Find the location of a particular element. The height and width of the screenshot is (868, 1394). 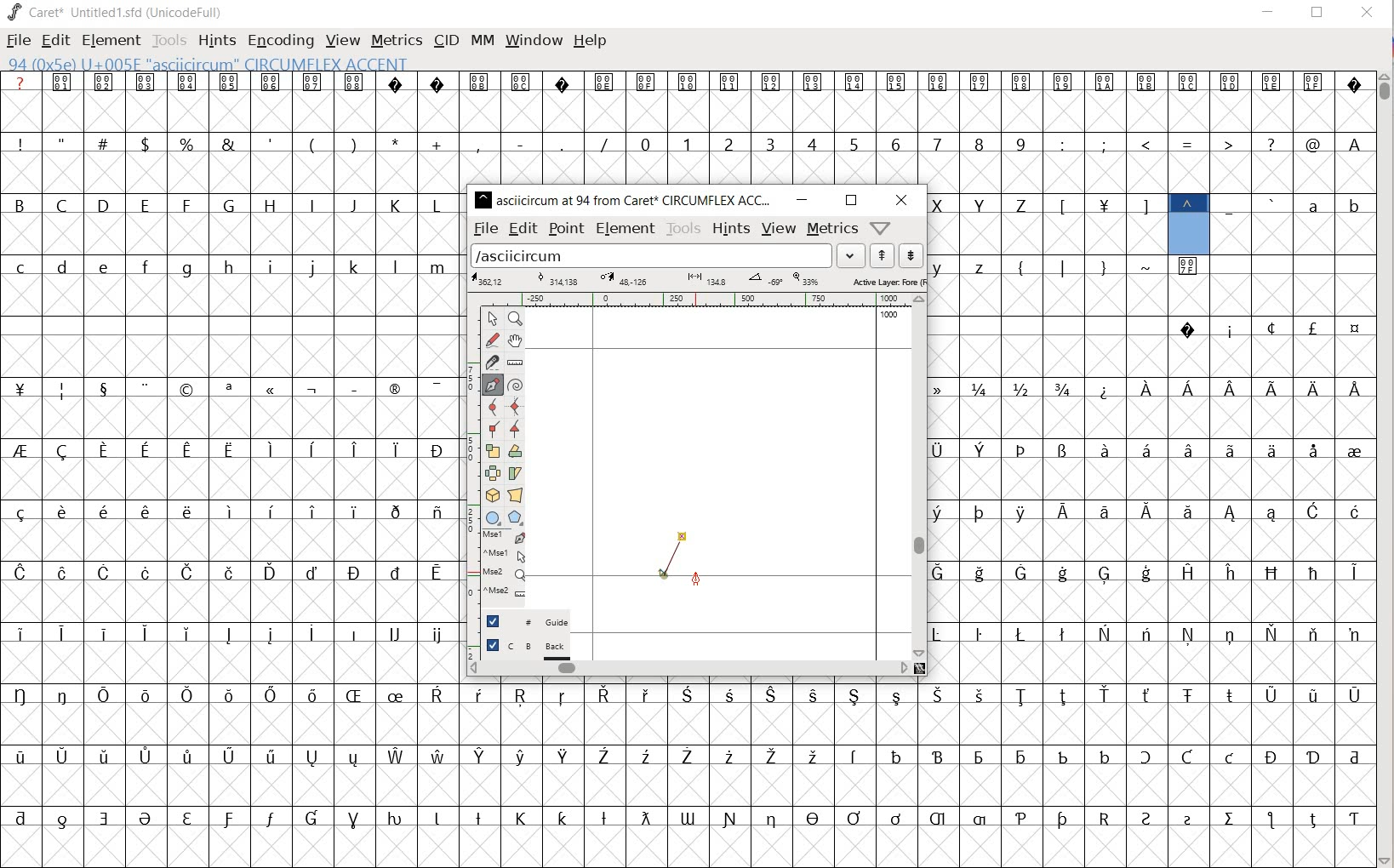

metrics is located at coordinates (833, 229).